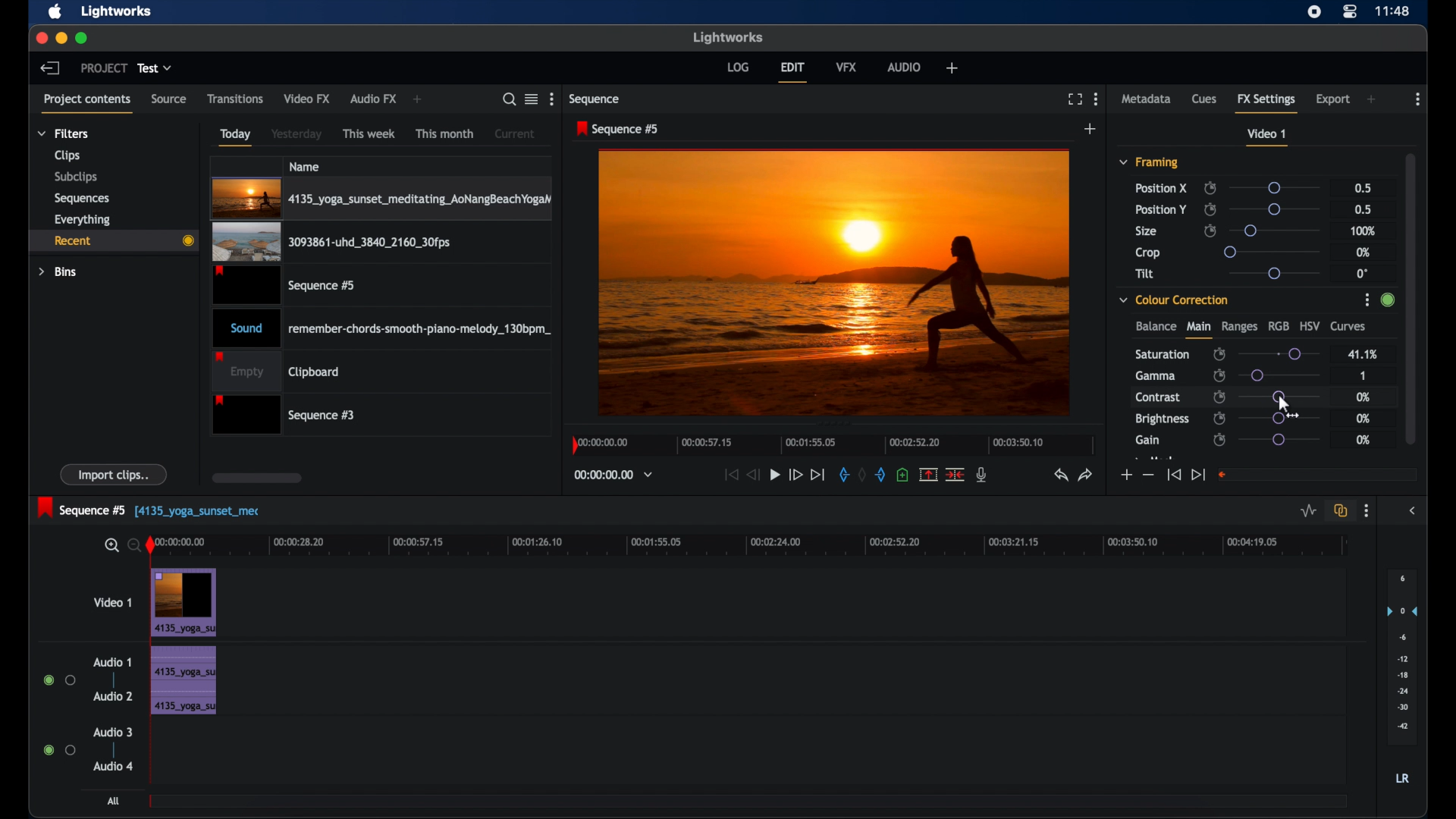 The height and width of the screenshot is (819, 1456). Describe the element at coordinates (1307, 510) in the screenshot. I see `toggle audio levels editing` at that location.